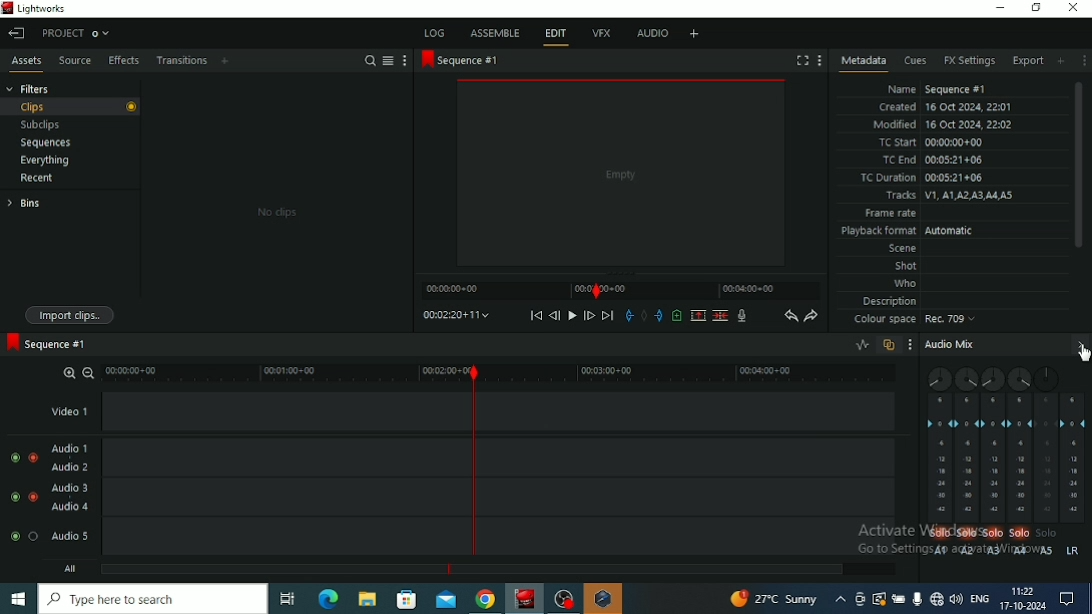 This screenshot has height=614, width=1092. Describe the element at coordinates (937, 459) in the screenshot. I see `Audio Mix A1` at that location.